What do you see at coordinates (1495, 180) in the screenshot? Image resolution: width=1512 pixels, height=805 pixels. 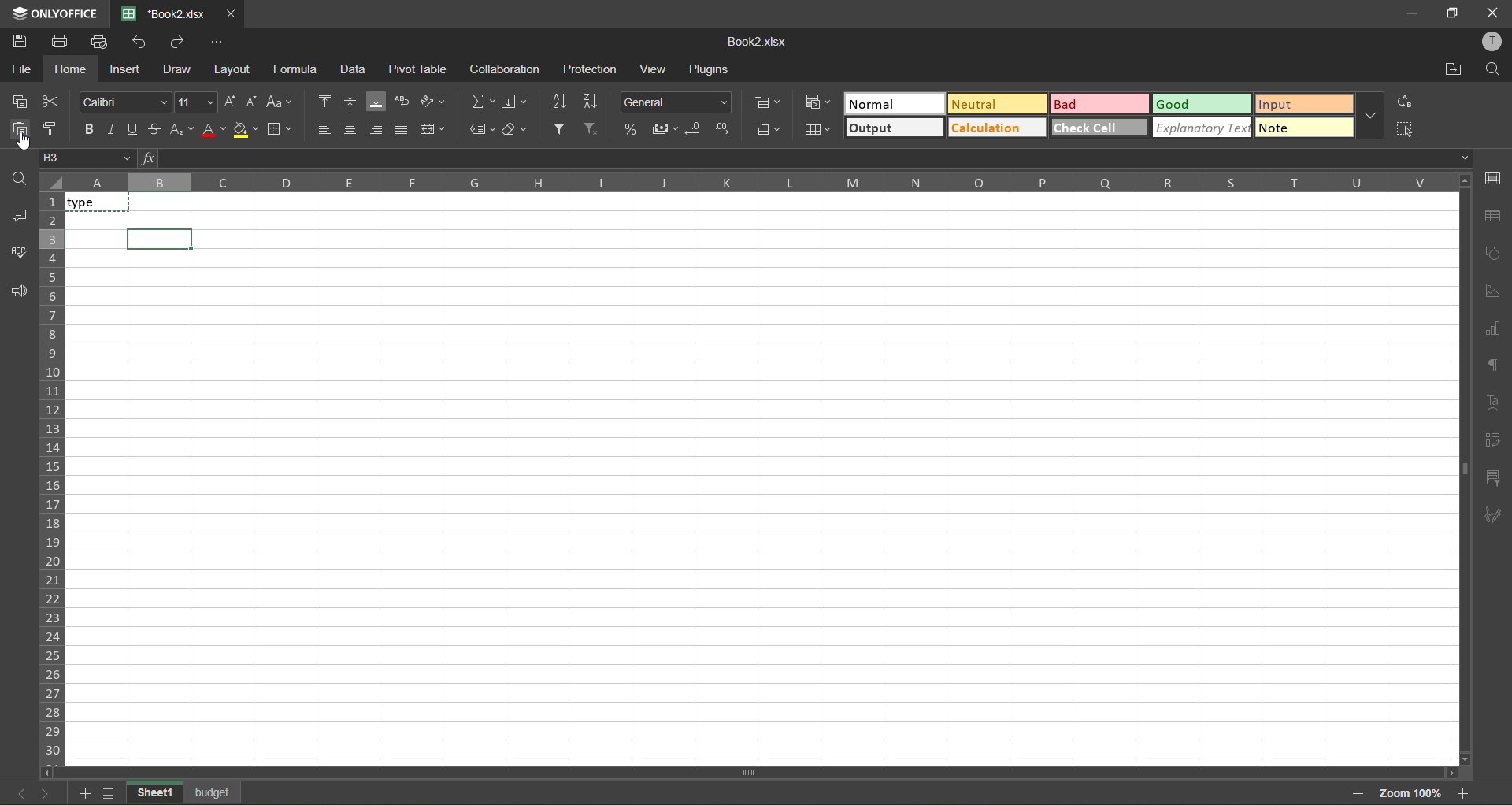 I see `call settings` at bounding box center [1495, 180].